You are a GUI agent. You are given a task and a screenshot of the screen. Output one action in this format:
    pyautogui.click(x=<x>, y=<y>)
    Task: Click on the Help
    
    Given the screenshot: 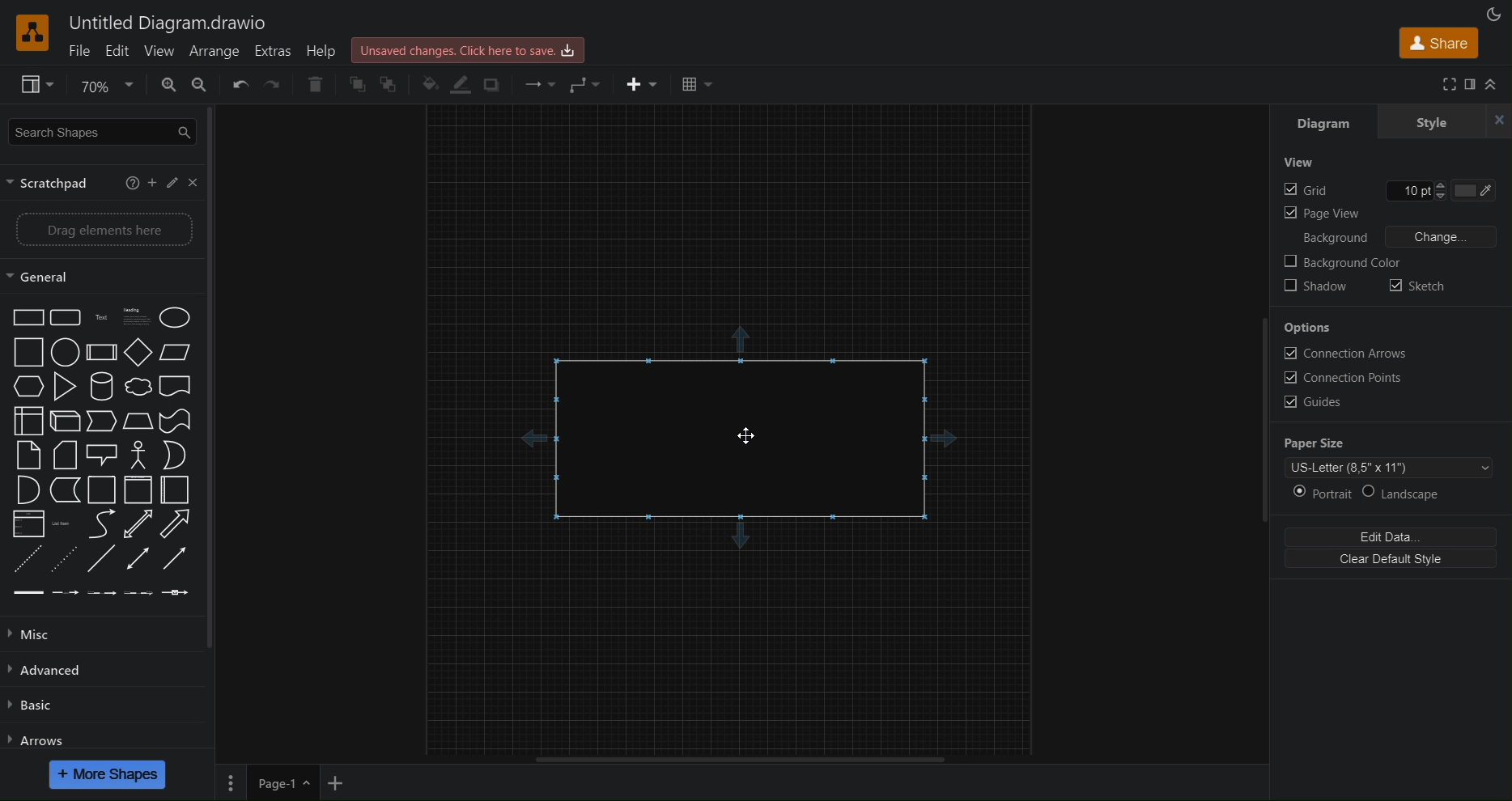 What is the action you would take?
    pyautogui.click(x=326, y=52)
    